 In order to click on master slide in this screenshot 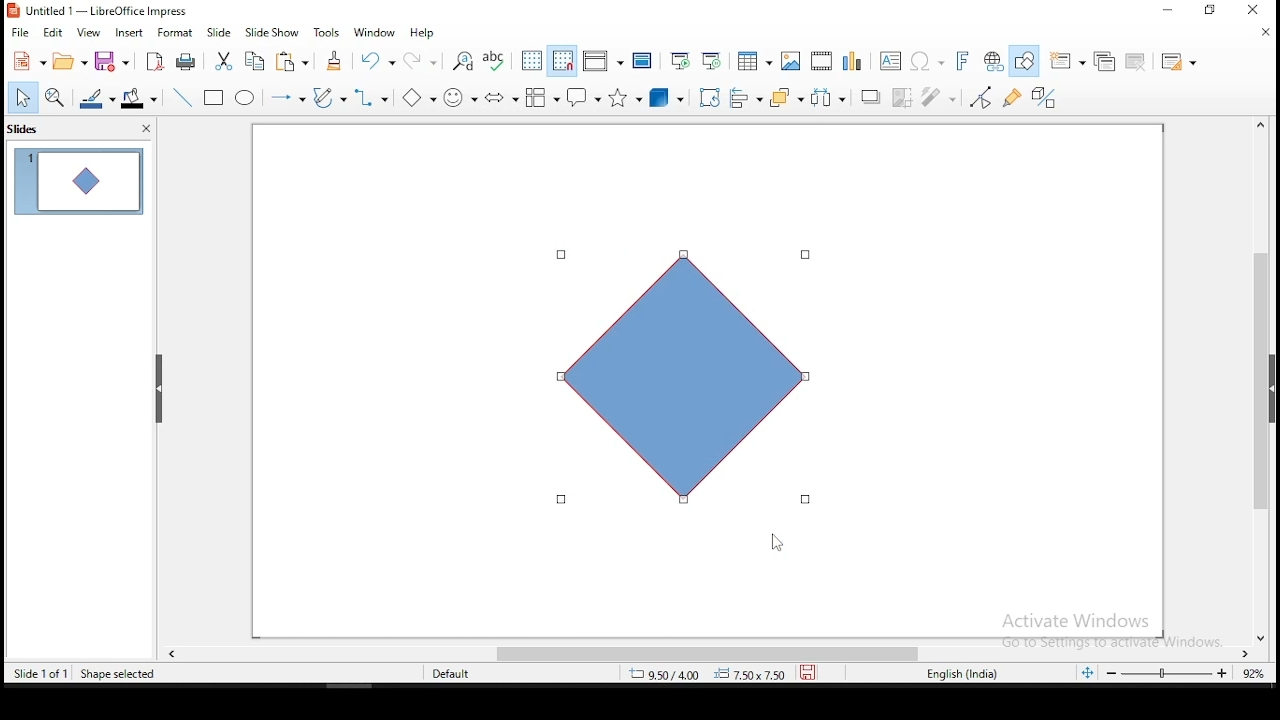, I will do `click(642, 61)`.